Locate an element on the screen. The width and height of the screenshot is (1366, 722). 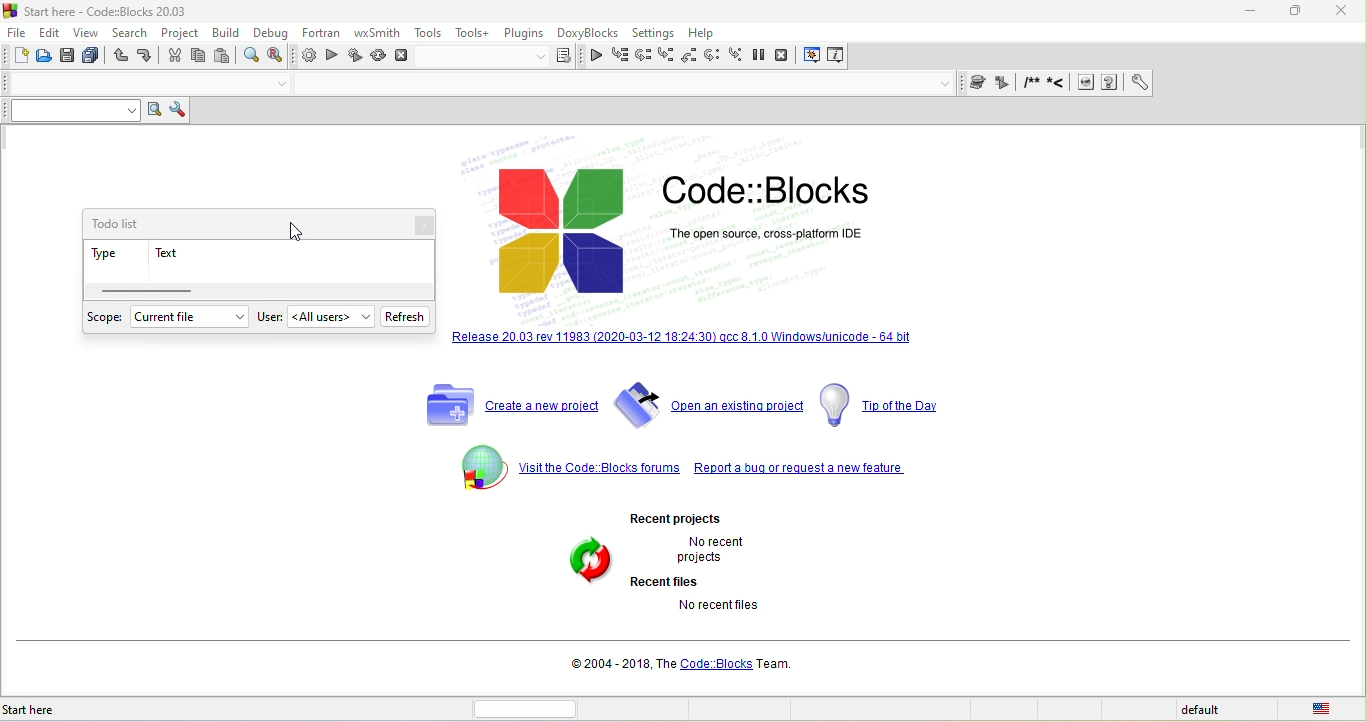
extract documentation is located at coordinates (1006, 84).